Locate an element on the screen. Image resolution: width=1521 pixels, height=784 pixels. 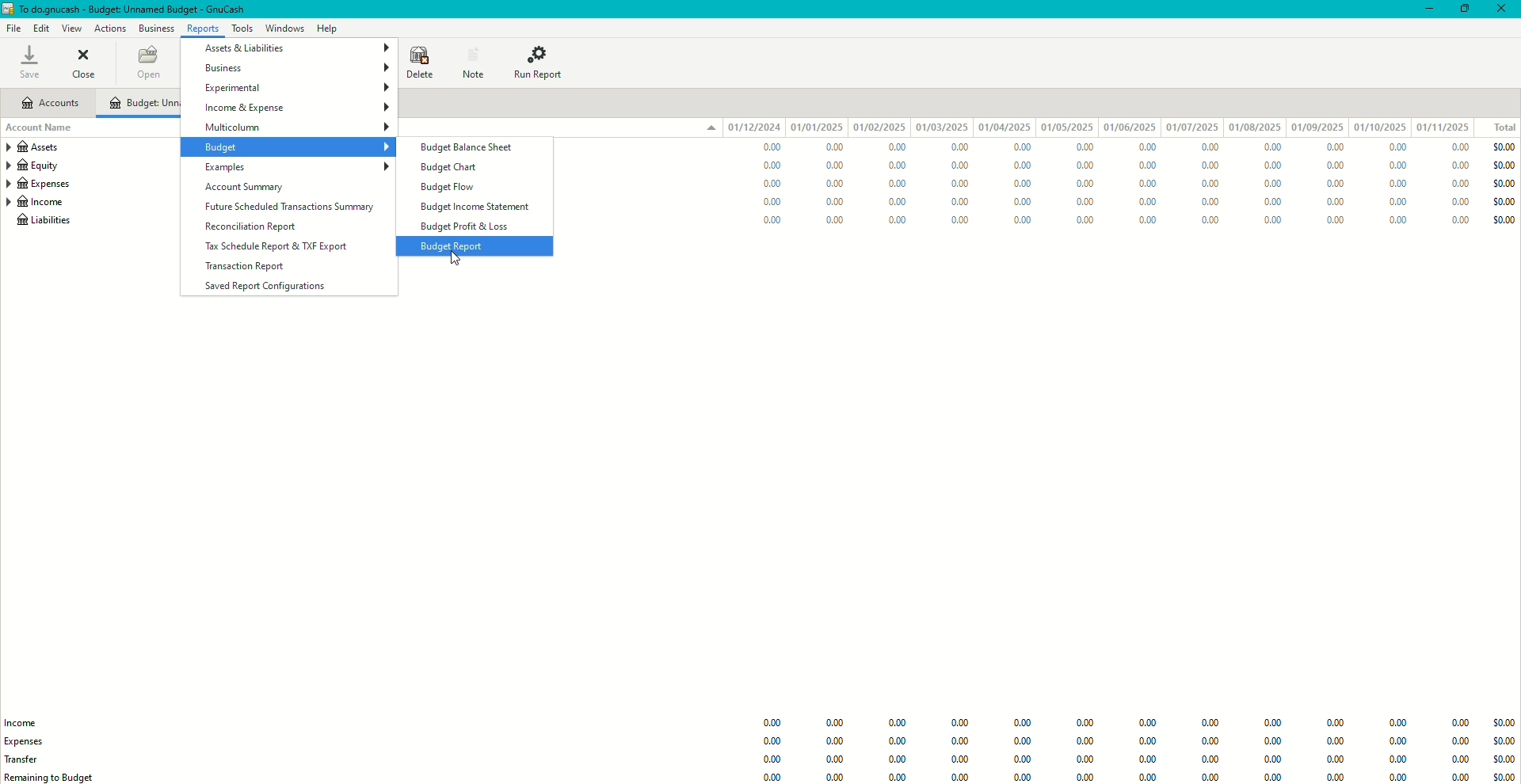
Reconciliation Report is located at coordinates (257, 224).